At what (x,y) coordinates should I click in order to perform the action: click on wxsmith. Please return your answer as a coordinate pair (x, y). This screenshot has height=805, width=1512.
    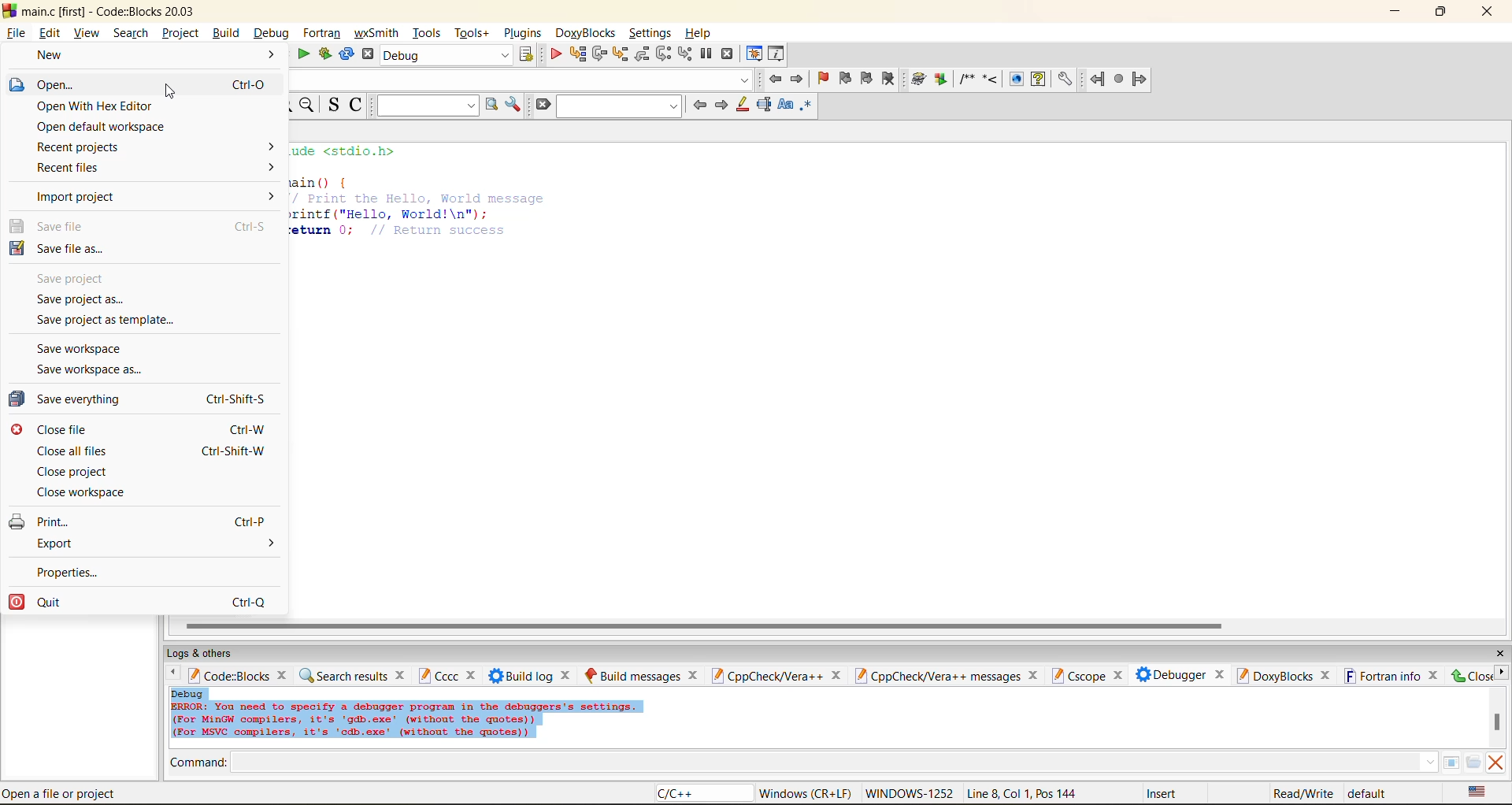
    Looking at the image, I should click on (377, 33).